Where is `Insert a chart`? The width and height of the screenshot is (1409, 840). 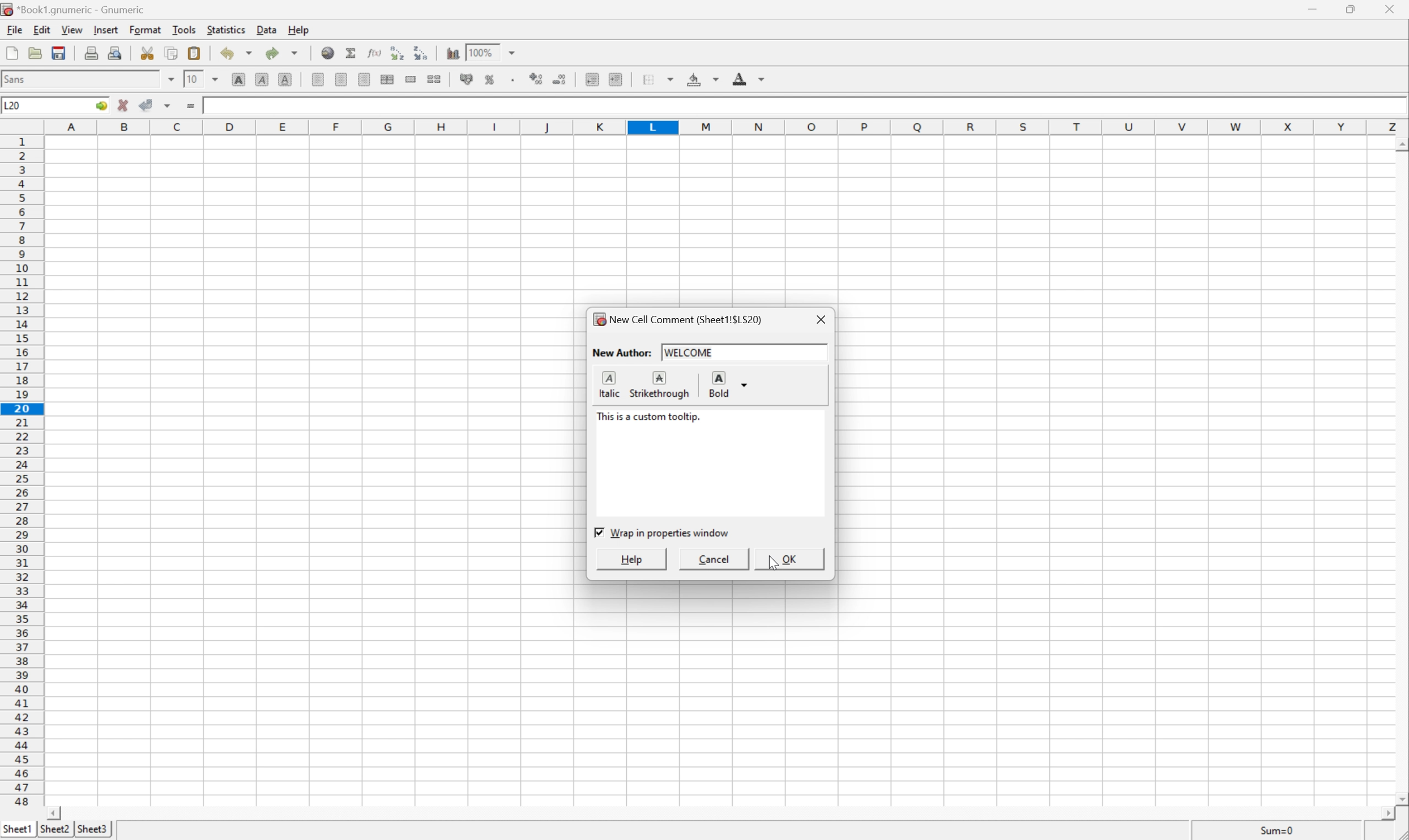 Insert a chart is located at coordinates (452, 54).